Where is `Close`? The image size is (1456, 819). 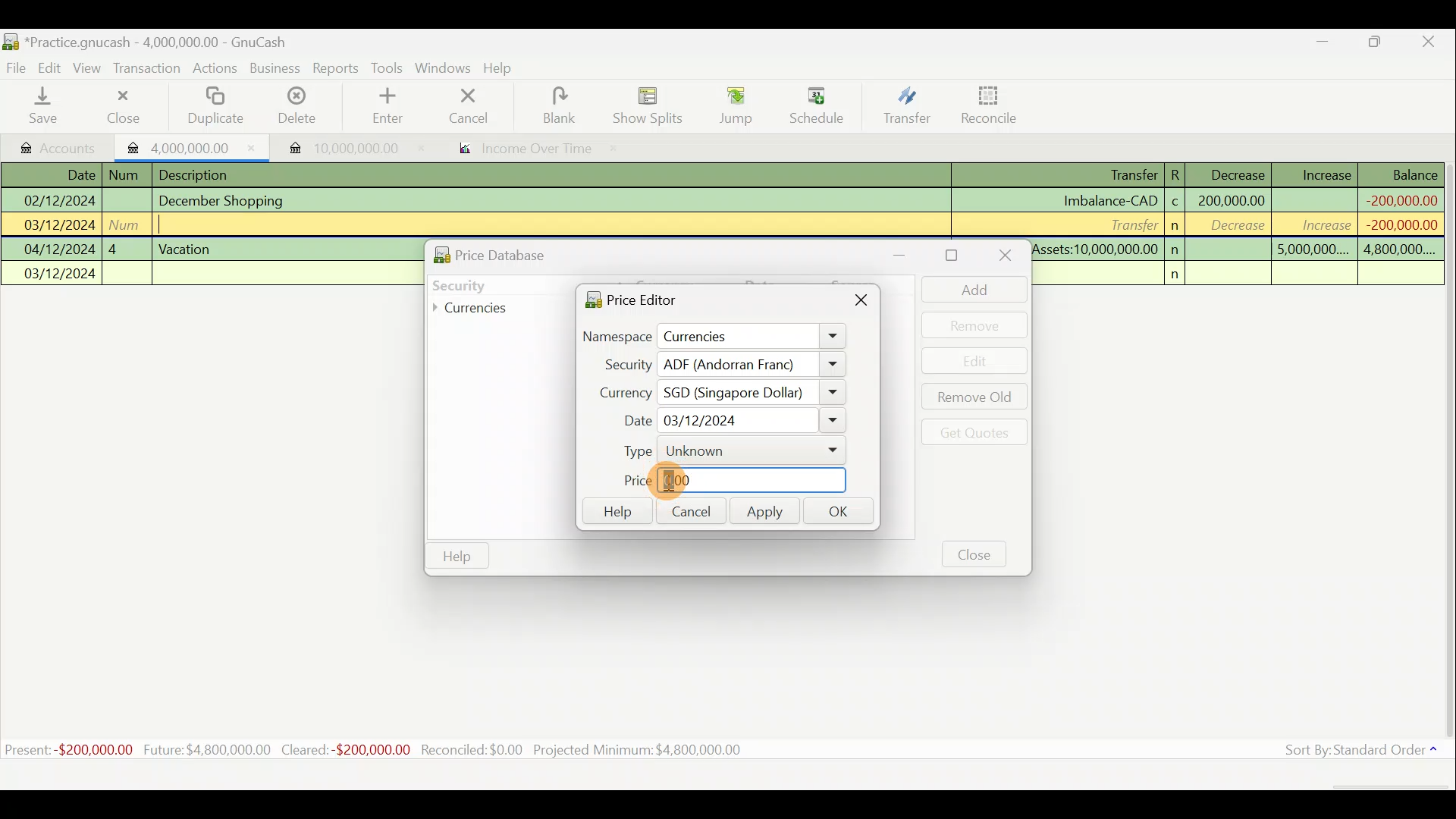 Close is located at coordinates (1003, 257).